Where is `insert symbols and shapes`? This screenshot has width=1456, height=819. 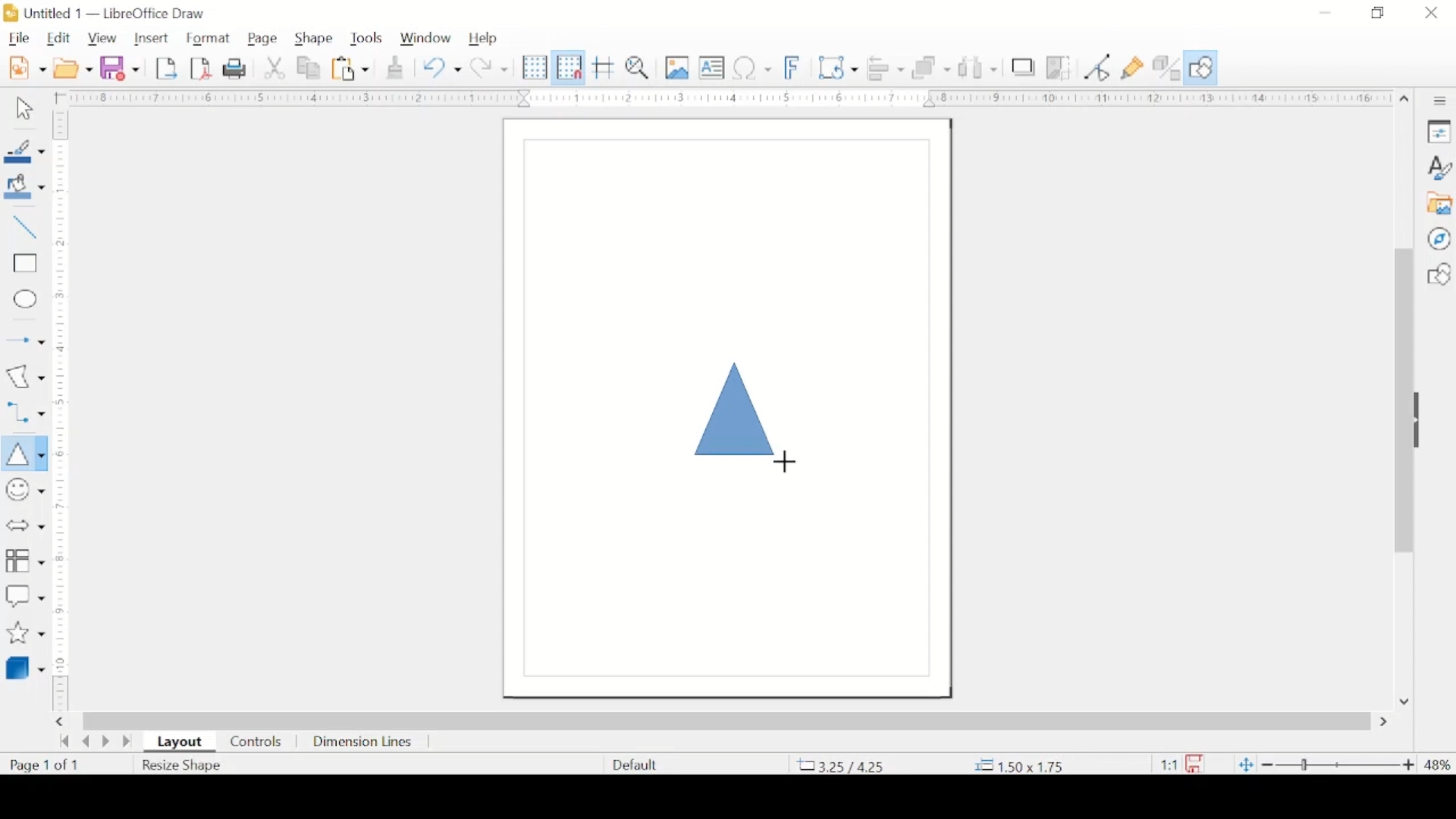 insert symbols and shapes is located at coordinates (24, 490).